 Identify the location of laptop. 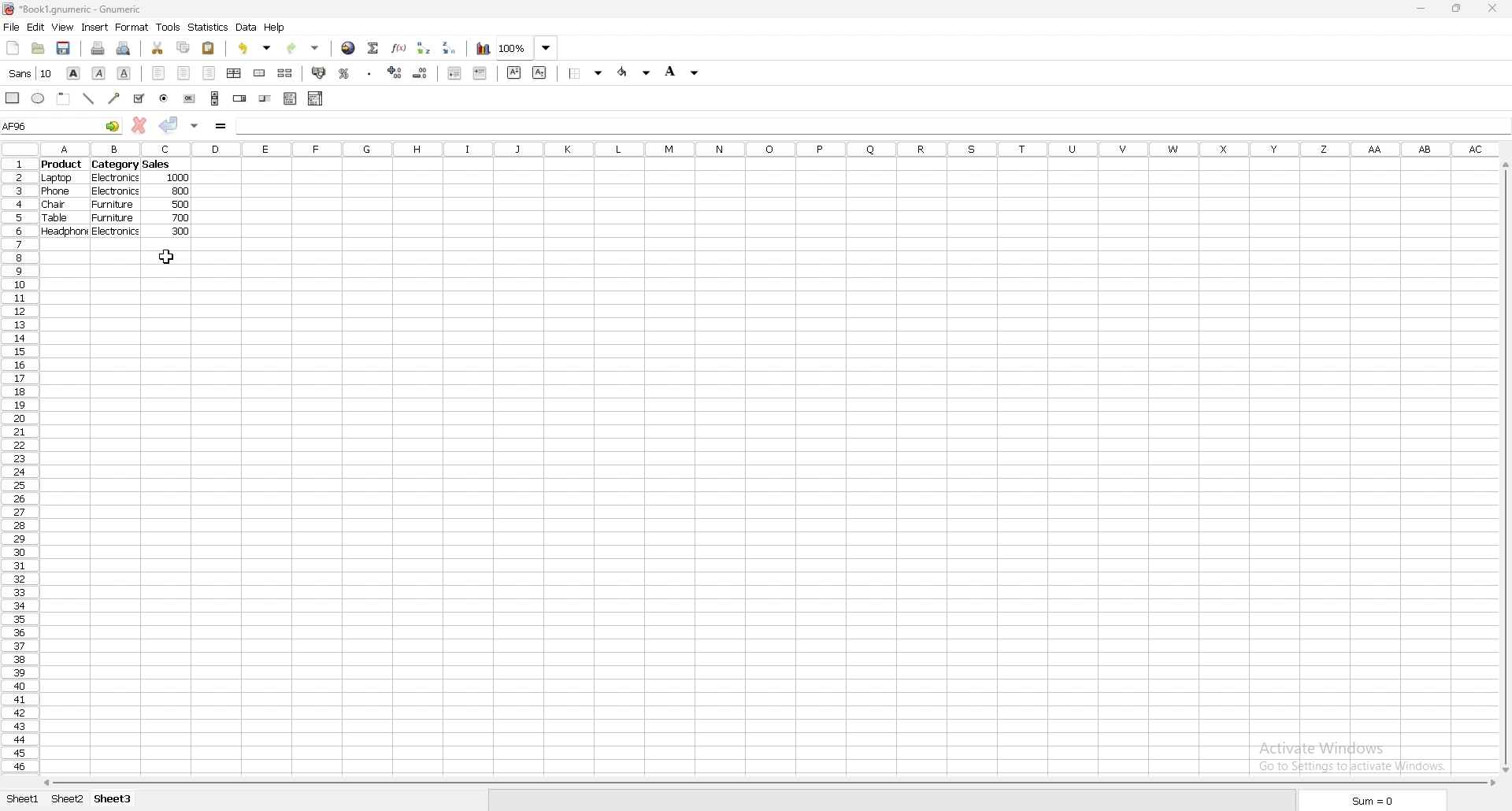
(60, 178).